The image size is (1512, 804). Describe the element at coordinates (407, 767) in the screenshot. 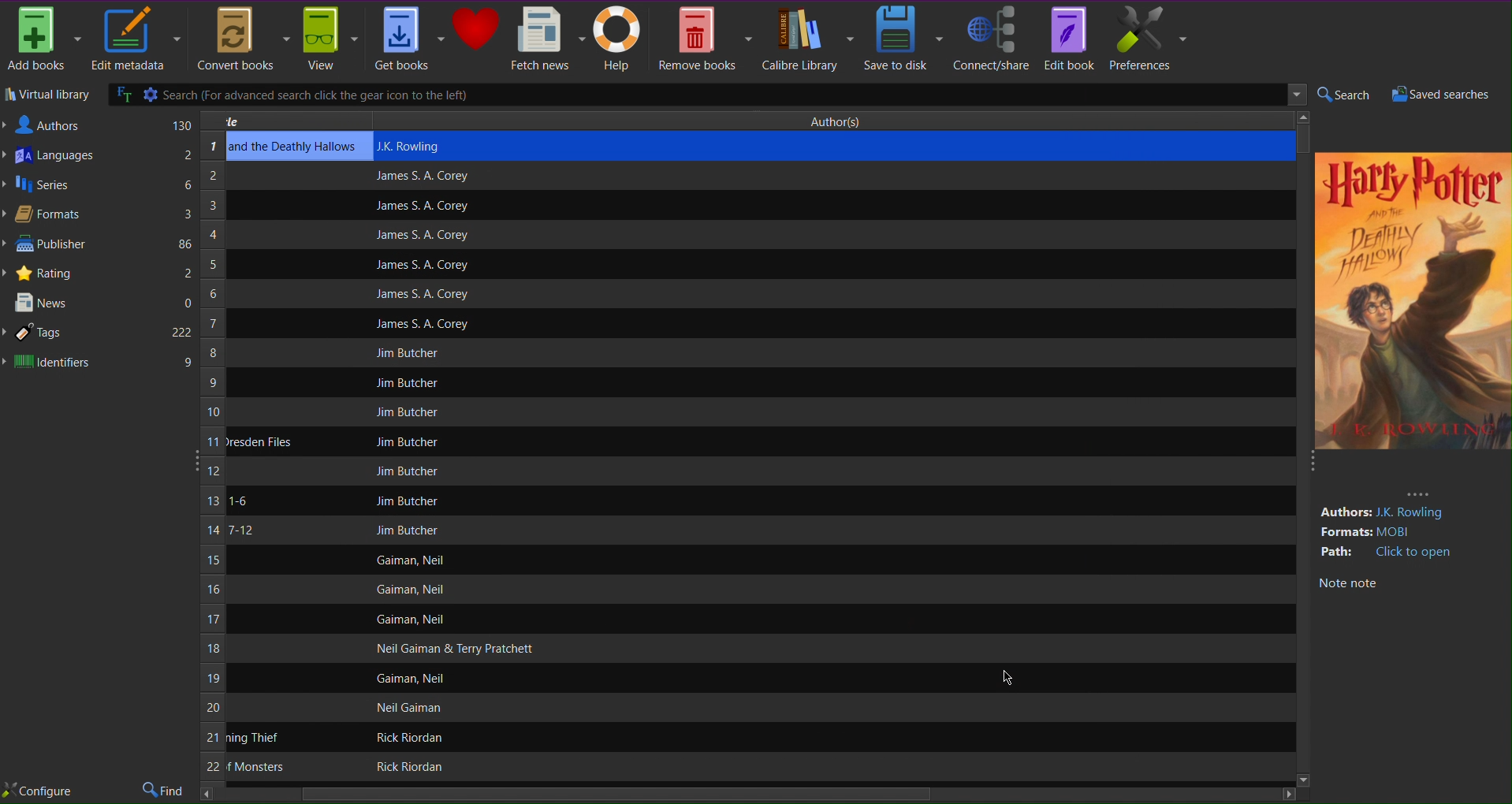

I see `Rick Riordan` at that location.